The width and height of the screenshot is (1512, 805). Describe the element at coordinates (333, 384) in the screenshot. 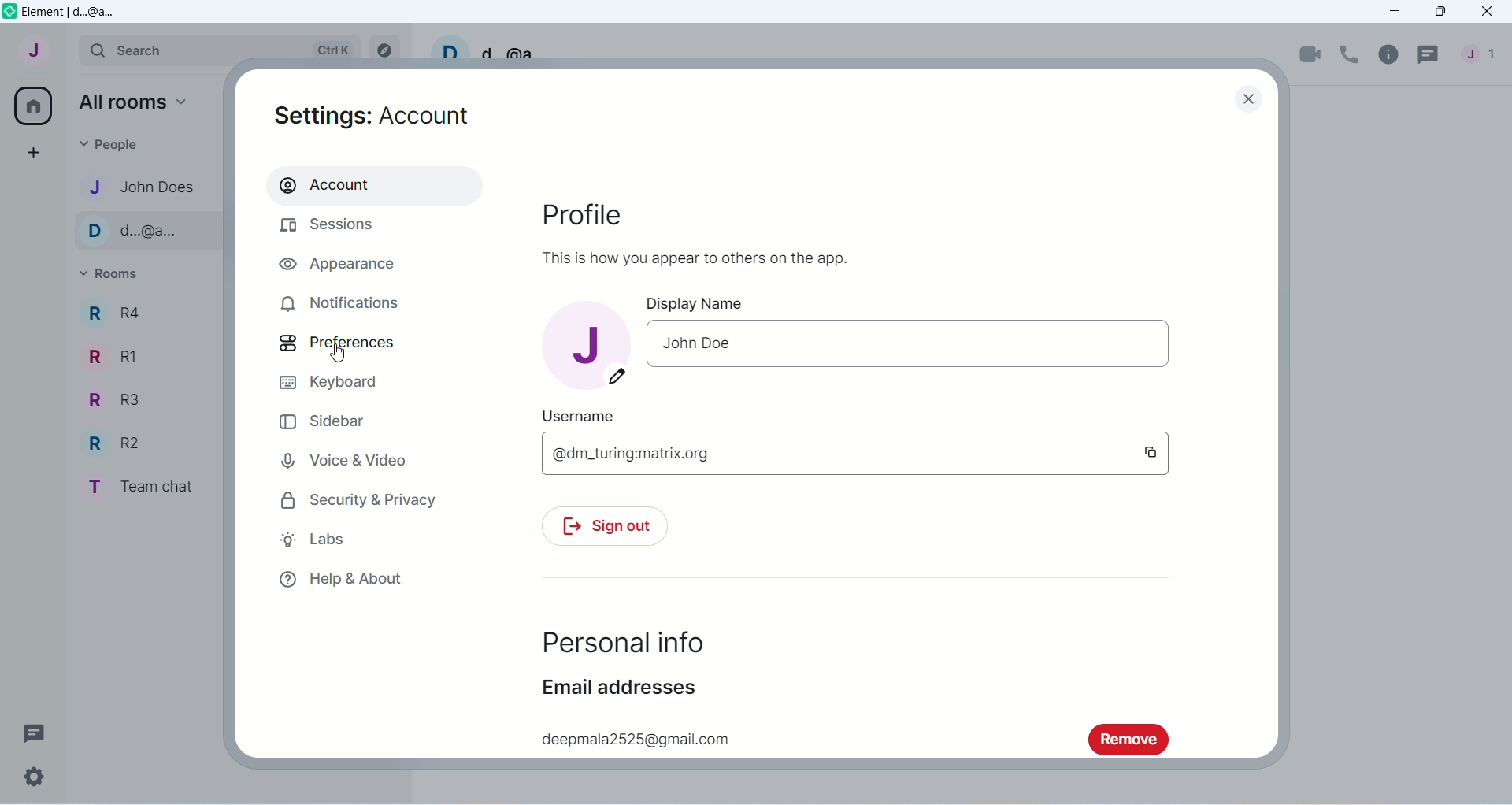

I see `Keyboard` at that location.